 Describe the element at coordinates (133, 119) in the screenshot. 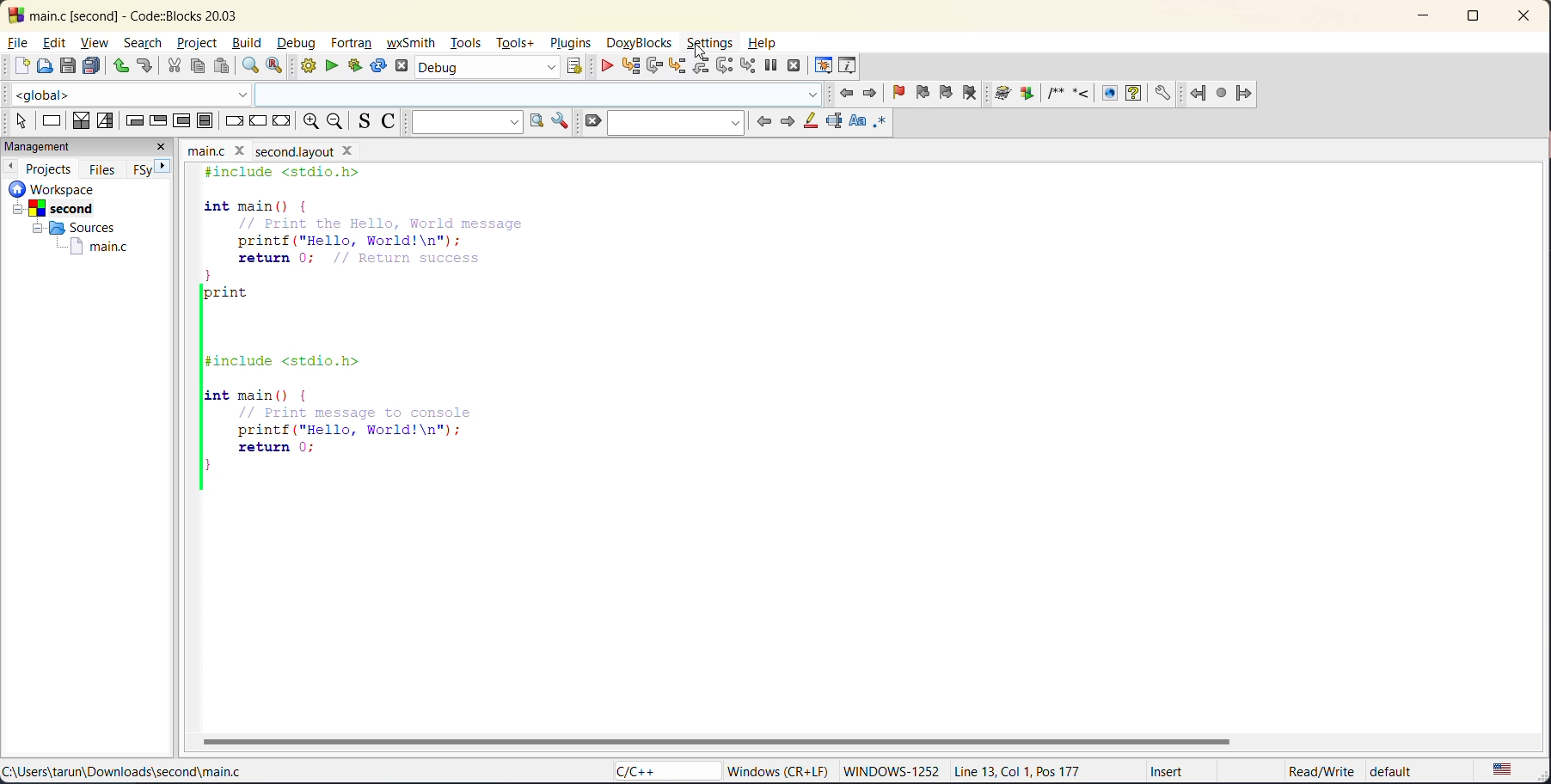

I see `entry condition loop` at that location.